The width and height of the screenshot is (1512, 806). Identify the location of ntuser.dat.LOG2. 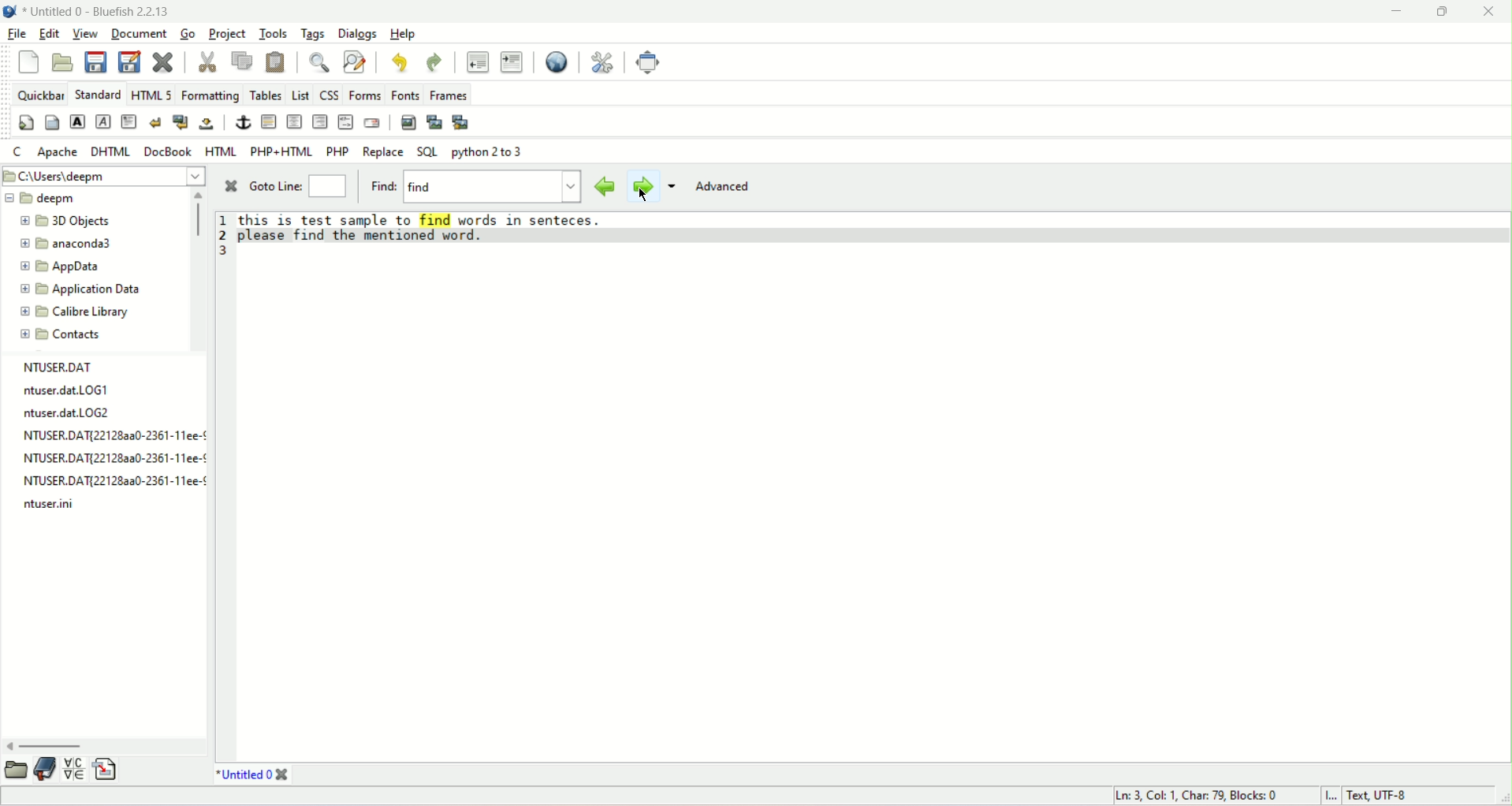
(73, 412).